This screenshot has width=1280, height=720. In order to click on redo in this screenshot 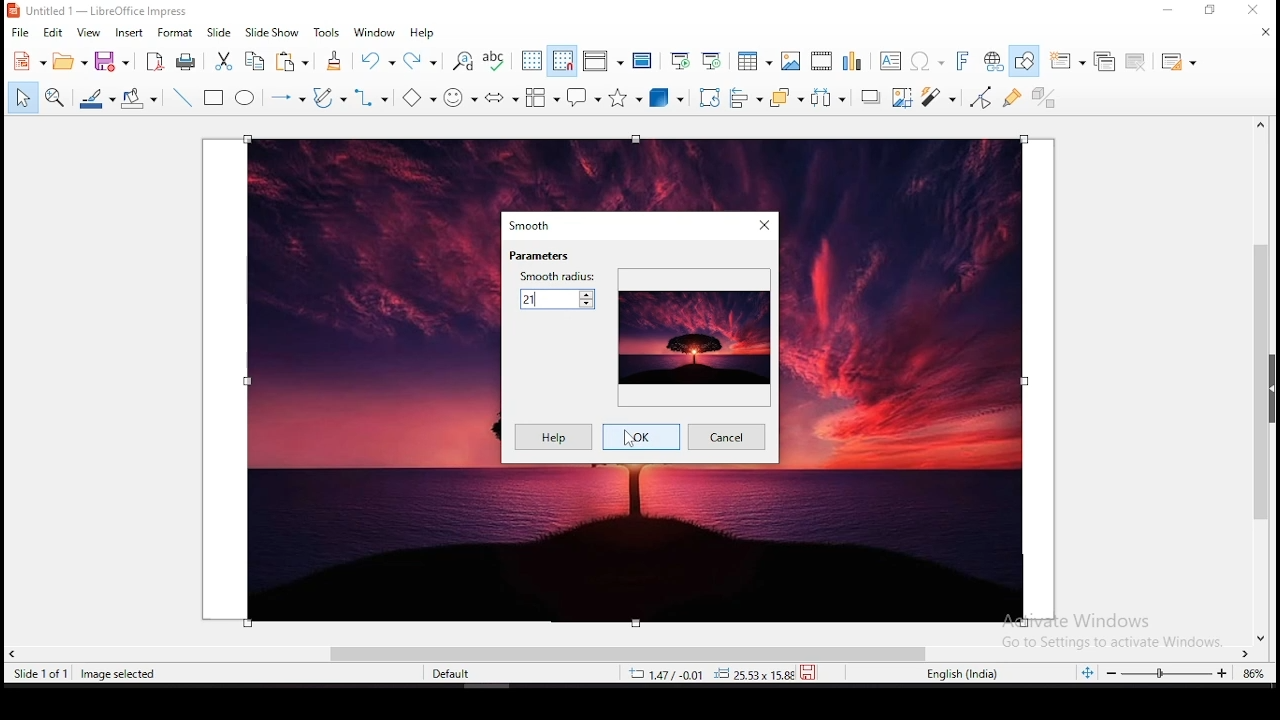, I will do `click(421, 59)`.